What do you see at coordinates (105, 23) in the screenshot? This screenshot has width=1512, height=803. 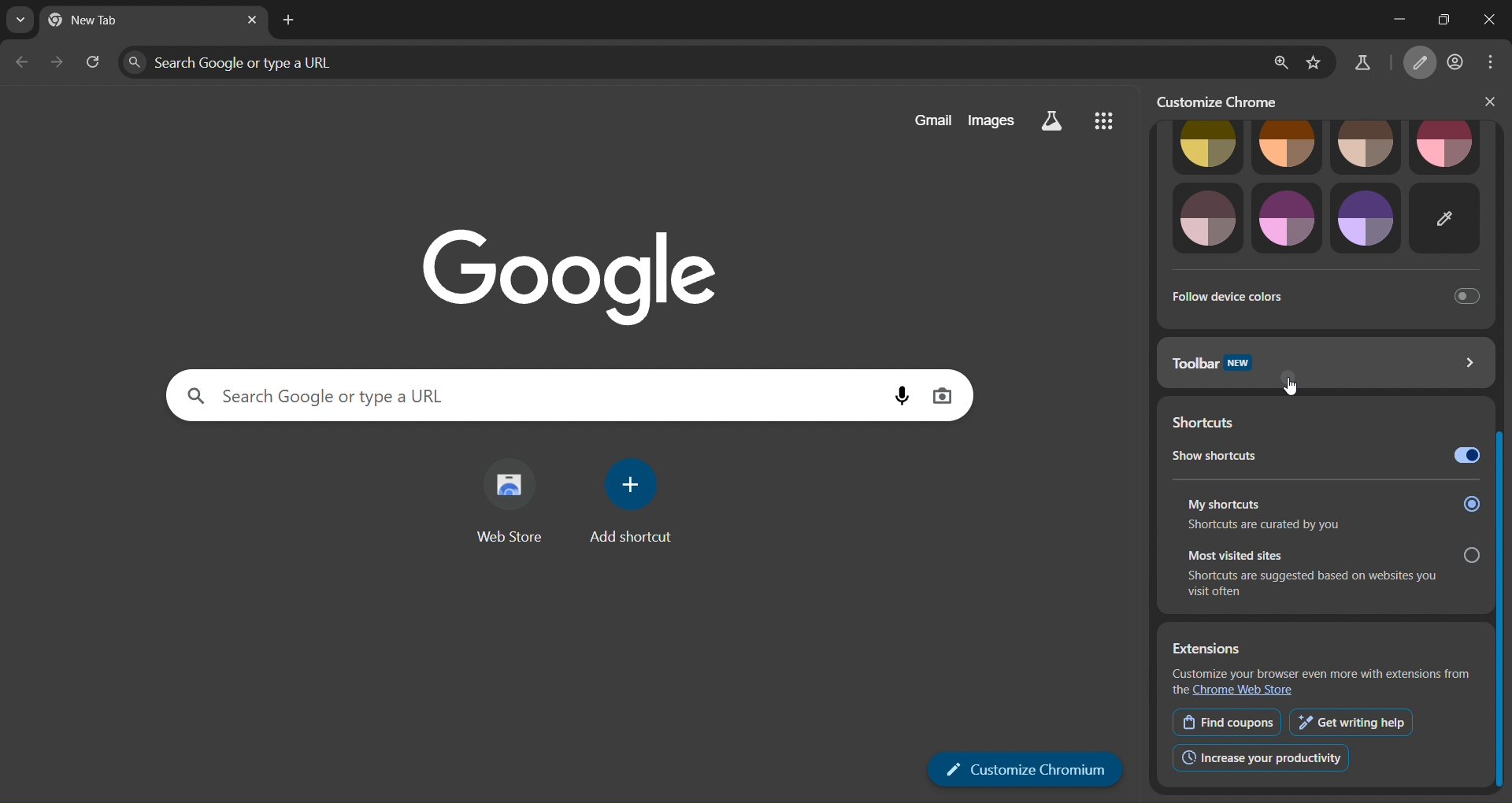 I see `current tab` at bounding box center [105, 23].